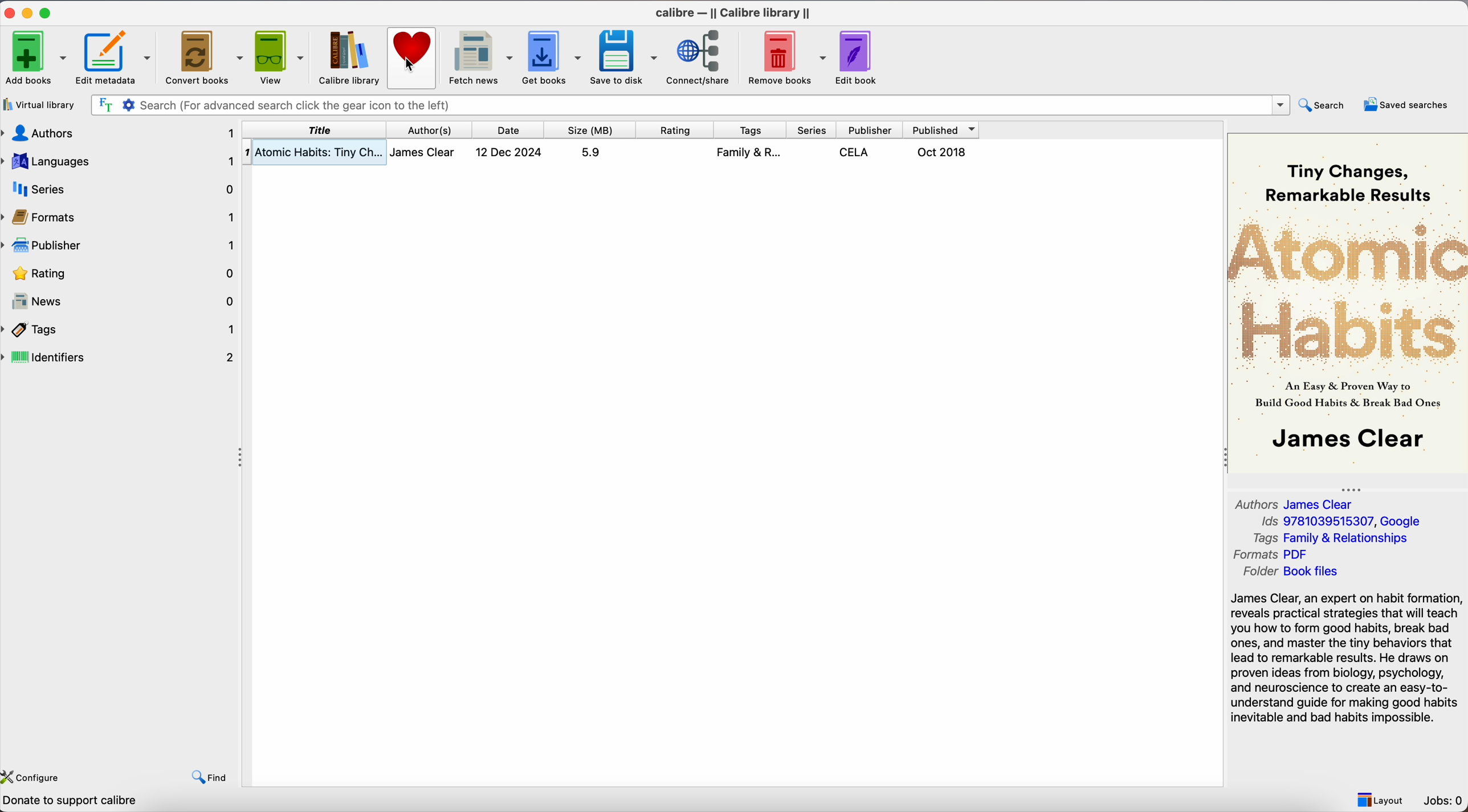 The width and height of the screenshot is (1468, 812). Describe the element at coordinates (1331, 538) in the screenshot. I see `tags` at that location.